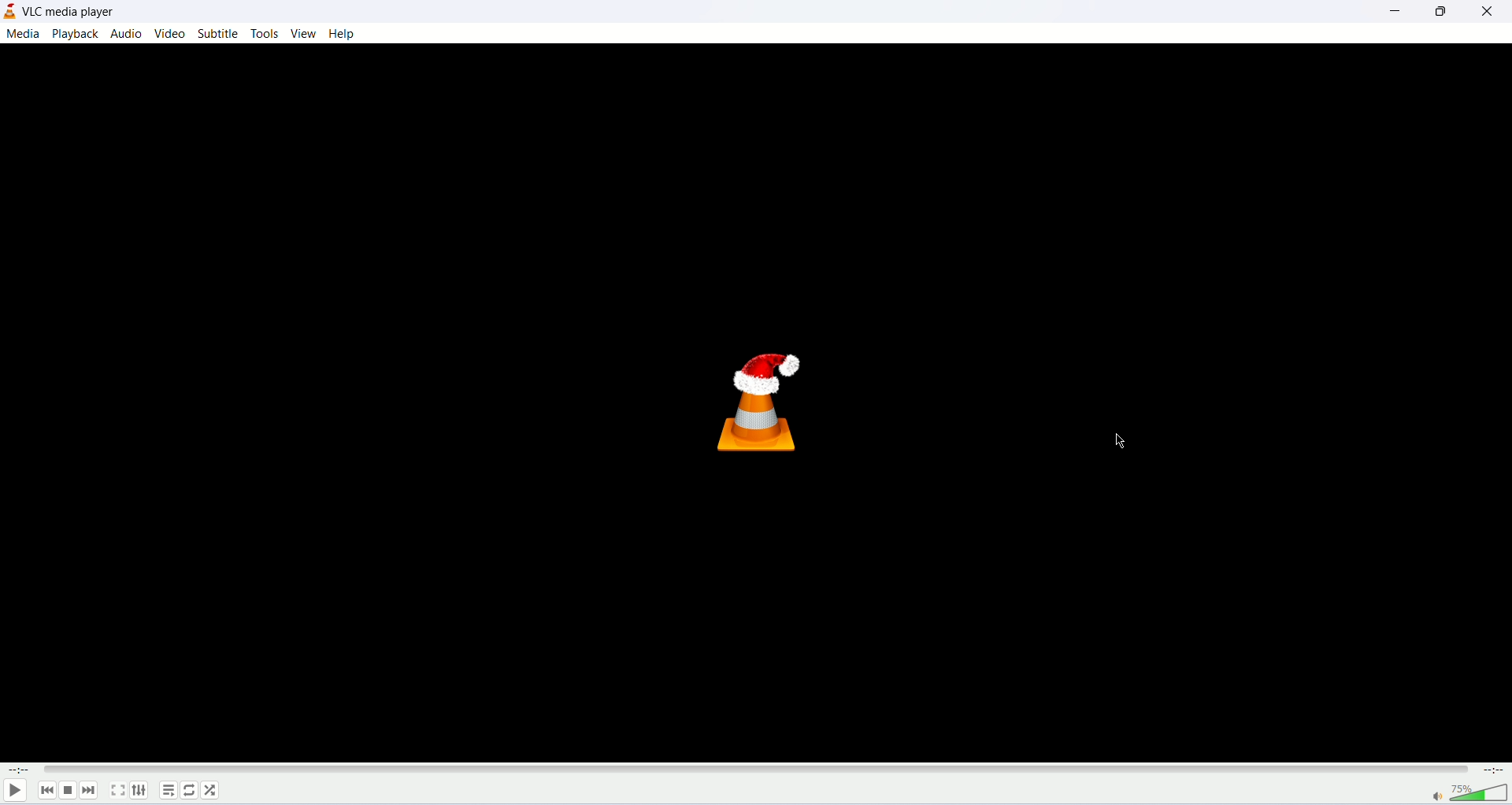 The width and height of the screenshot is (1512, 805). I want to click on logo, so click(9, 10).